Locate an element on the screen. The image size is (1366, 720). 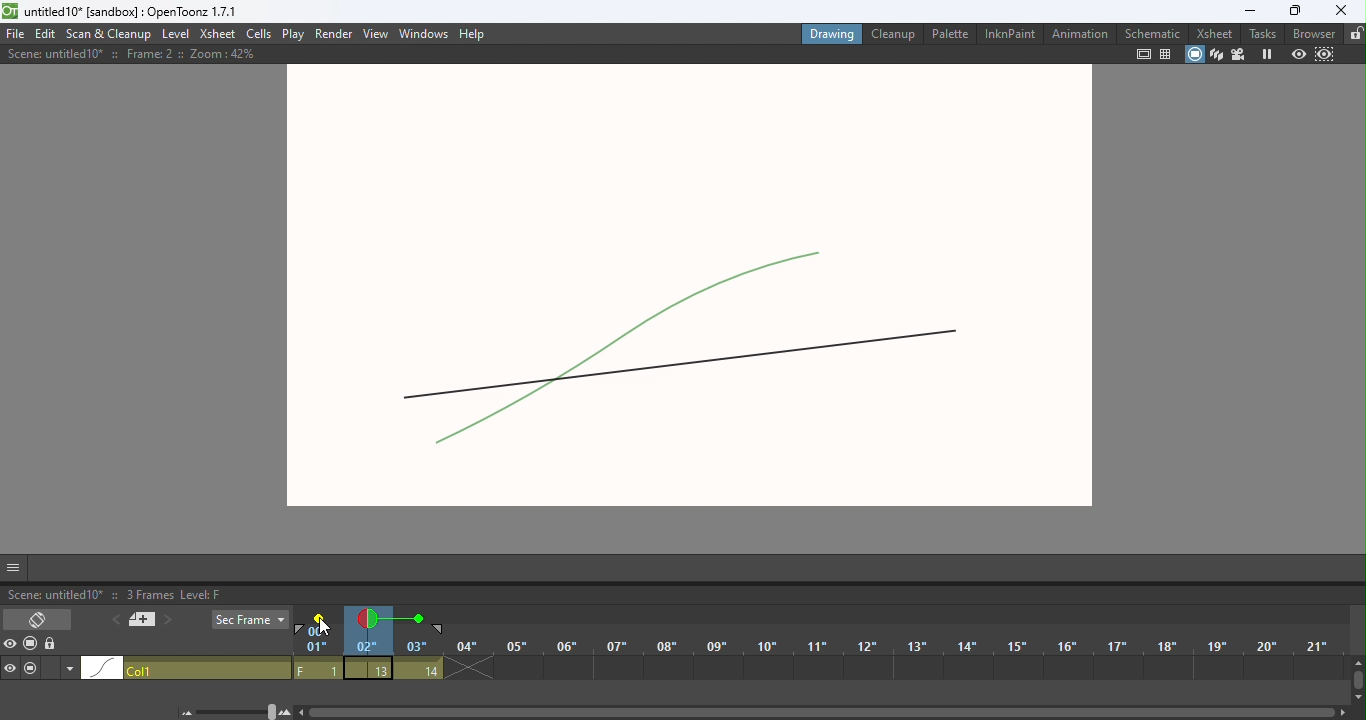
Render is located at coordinates (335, 32).